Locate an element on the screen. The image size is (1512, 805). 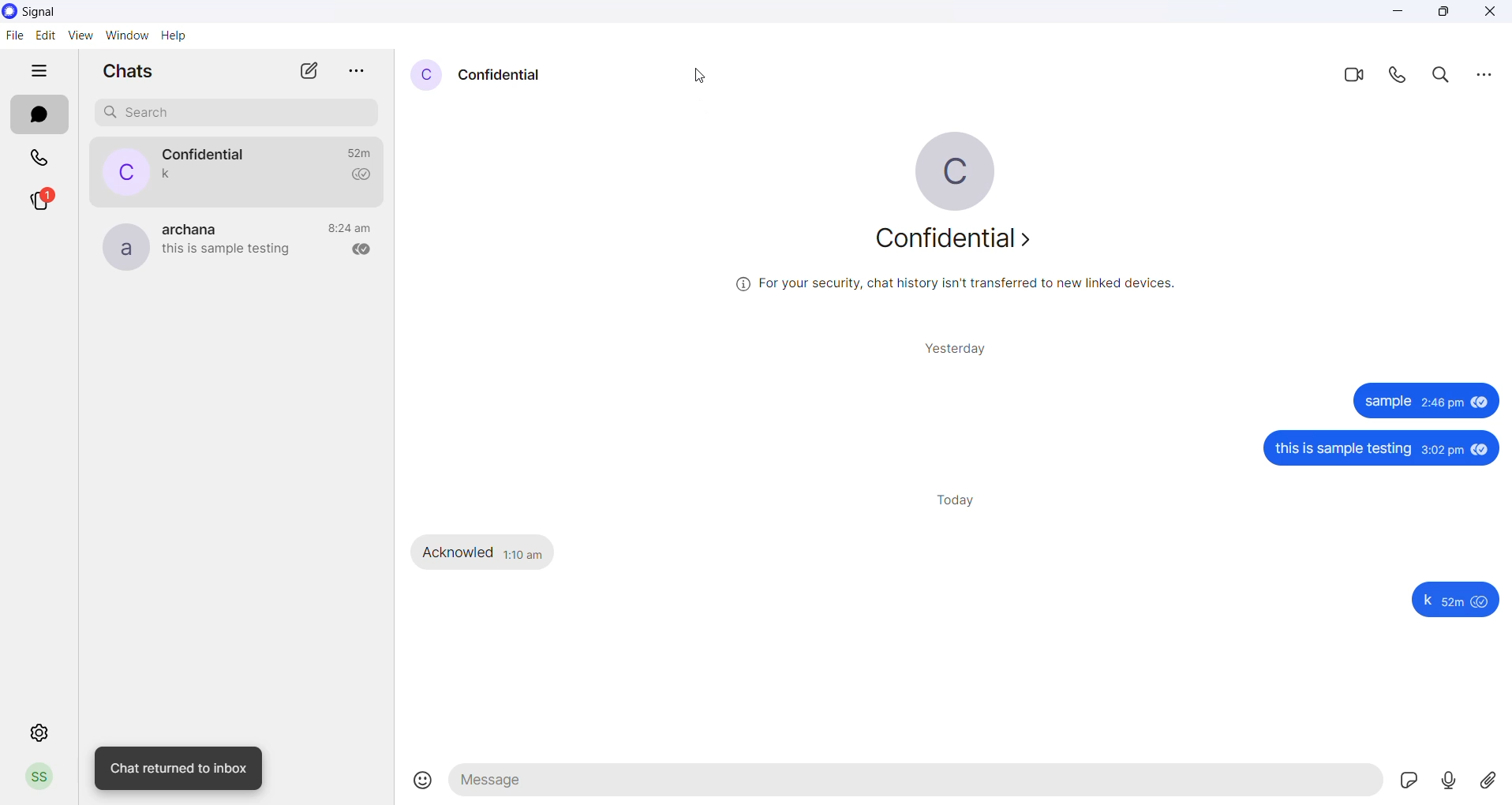
1:10 am is located at coordinates (526, 554).